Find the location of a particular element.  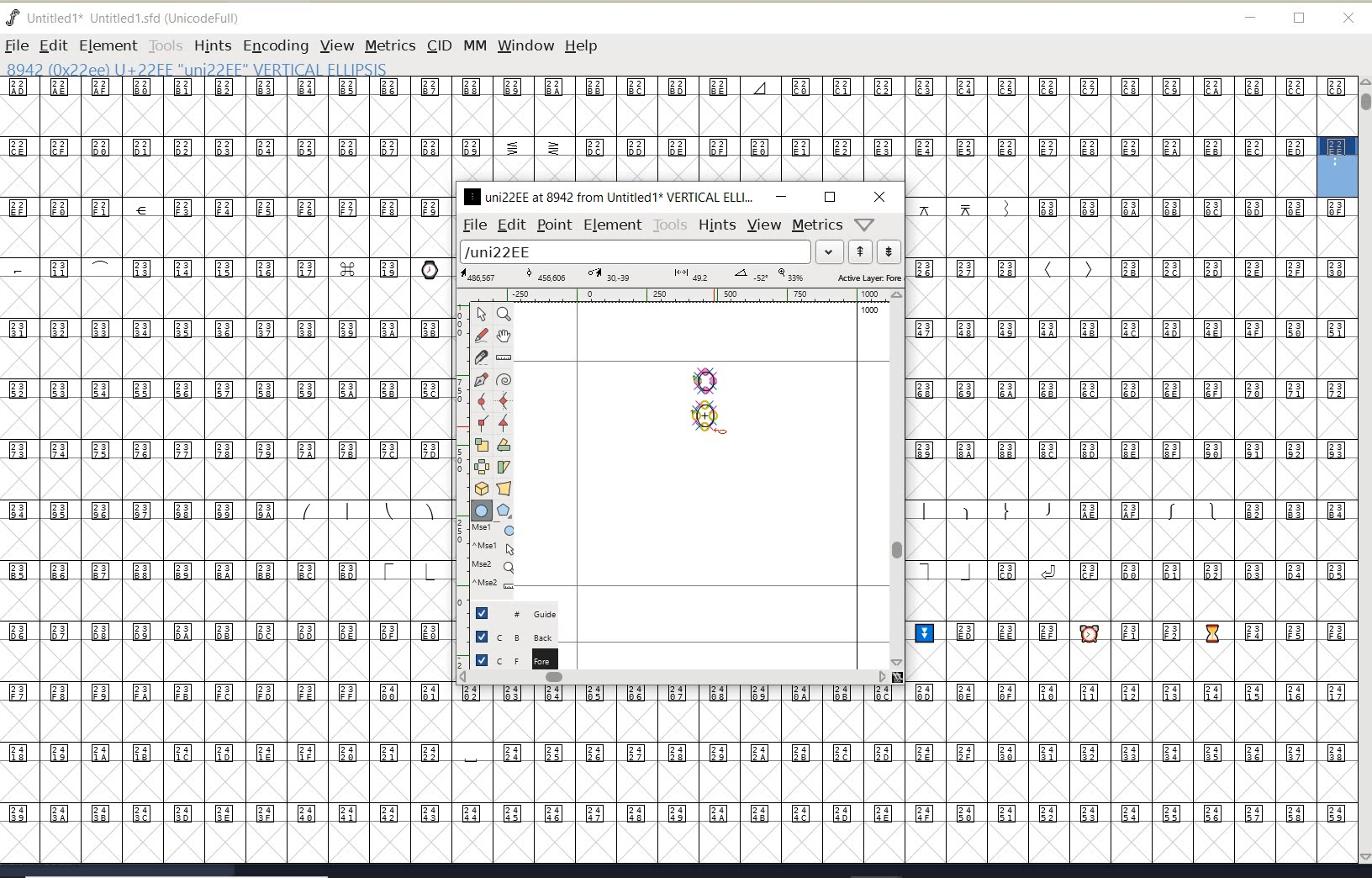

HINTS is located at coordinates (212, 46).